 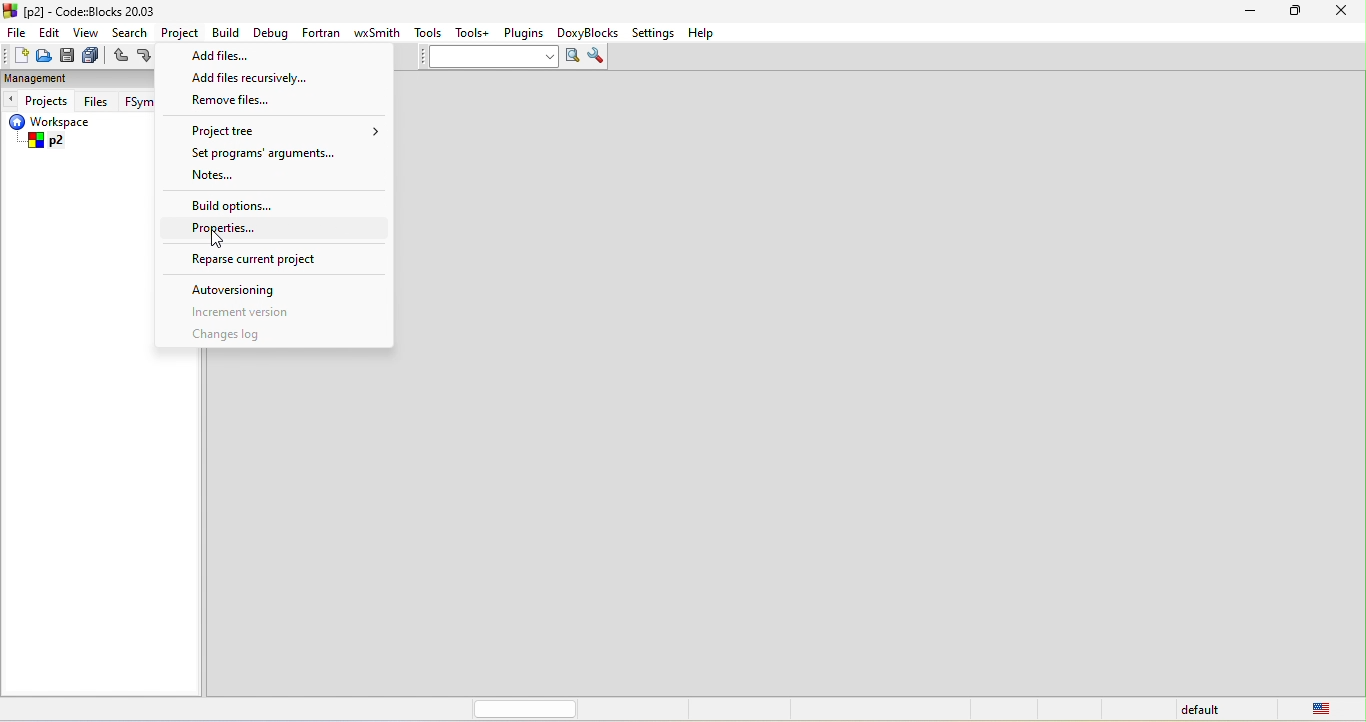 What do you see at coordinates (41, 59) in the screenshot?
I see `open` at bounding box center [41, 59].